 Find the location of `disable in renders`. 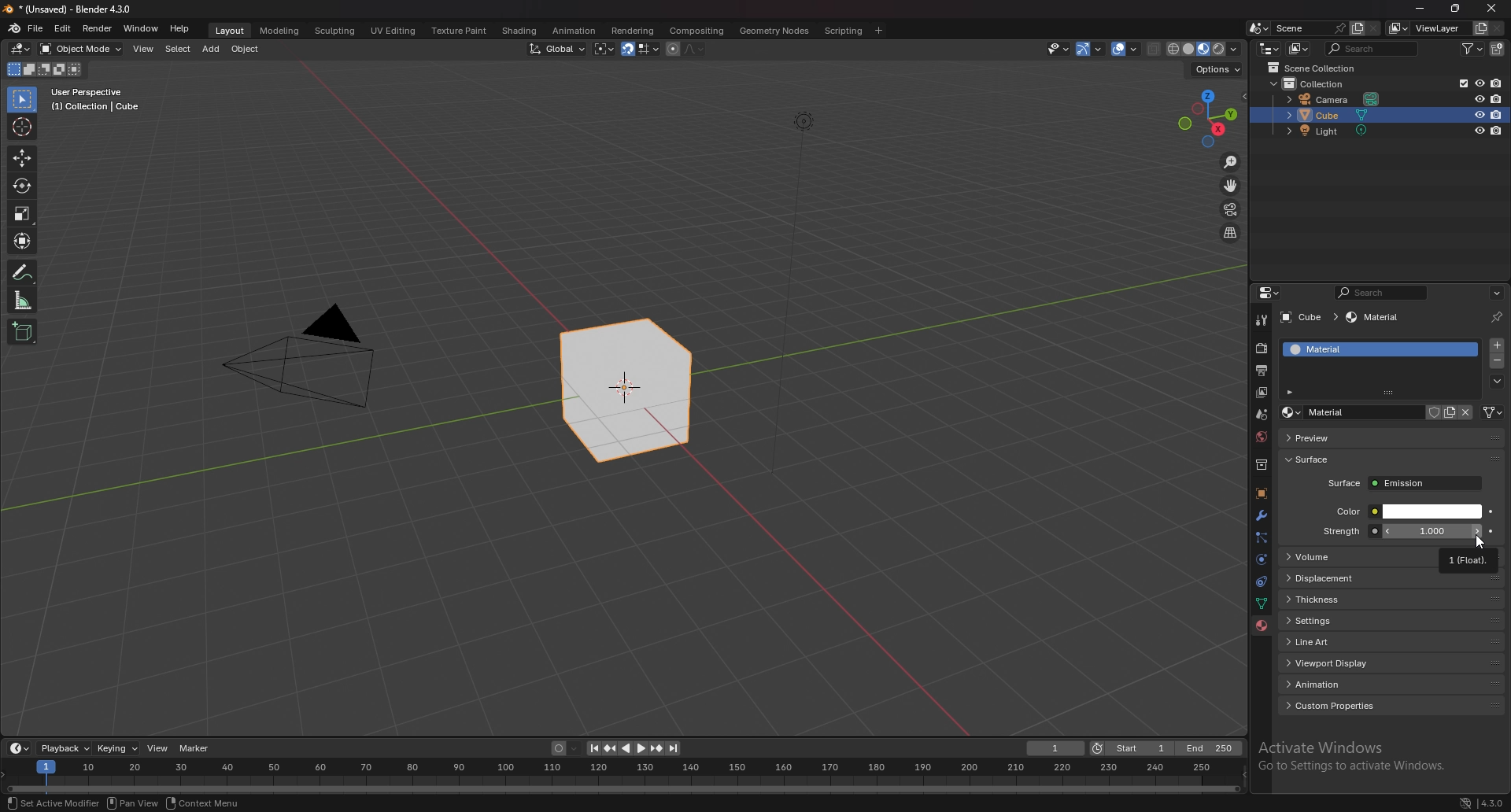

disable in renders is located at coordinates (1497, 98).